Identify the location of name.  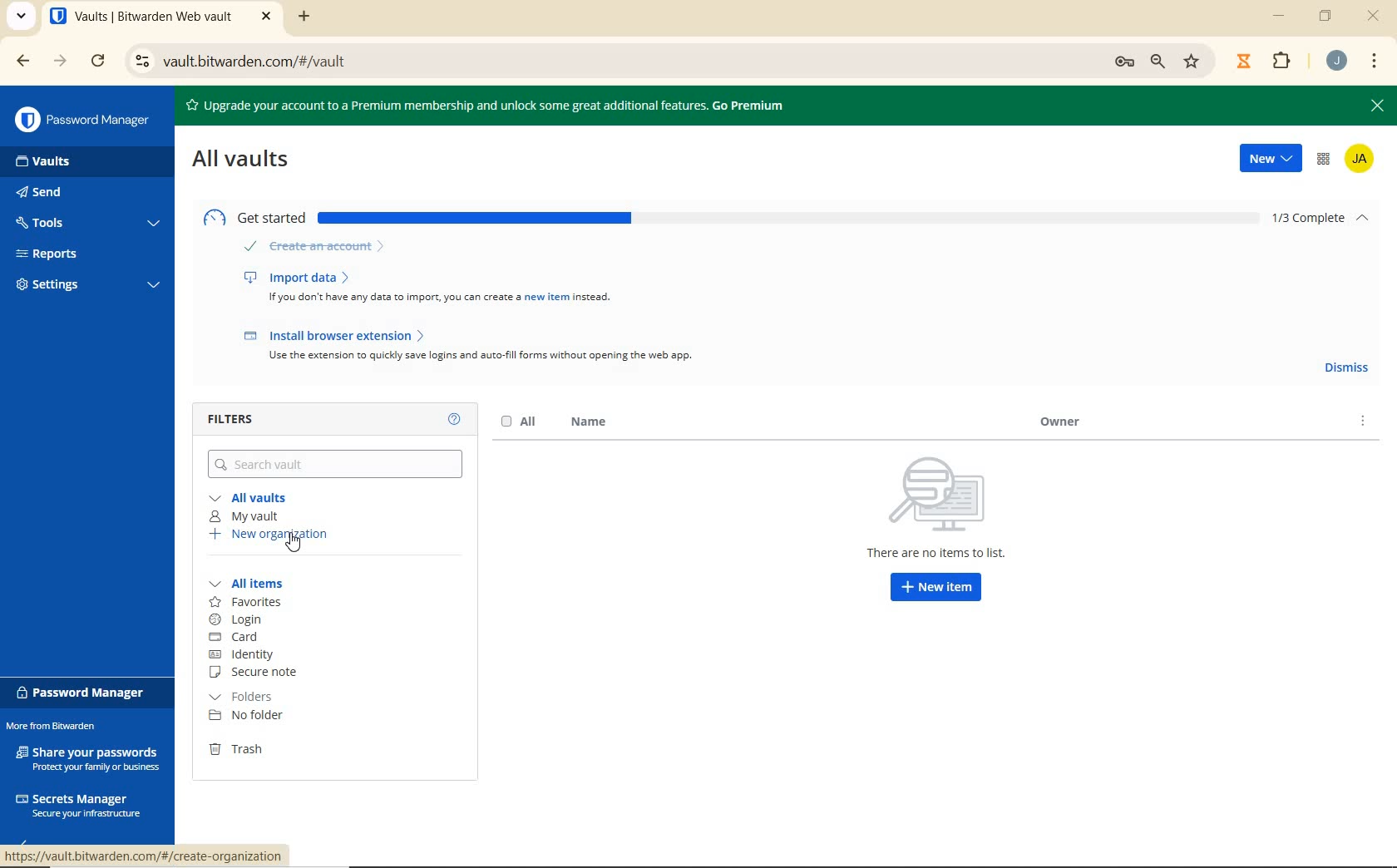
(585, 423).